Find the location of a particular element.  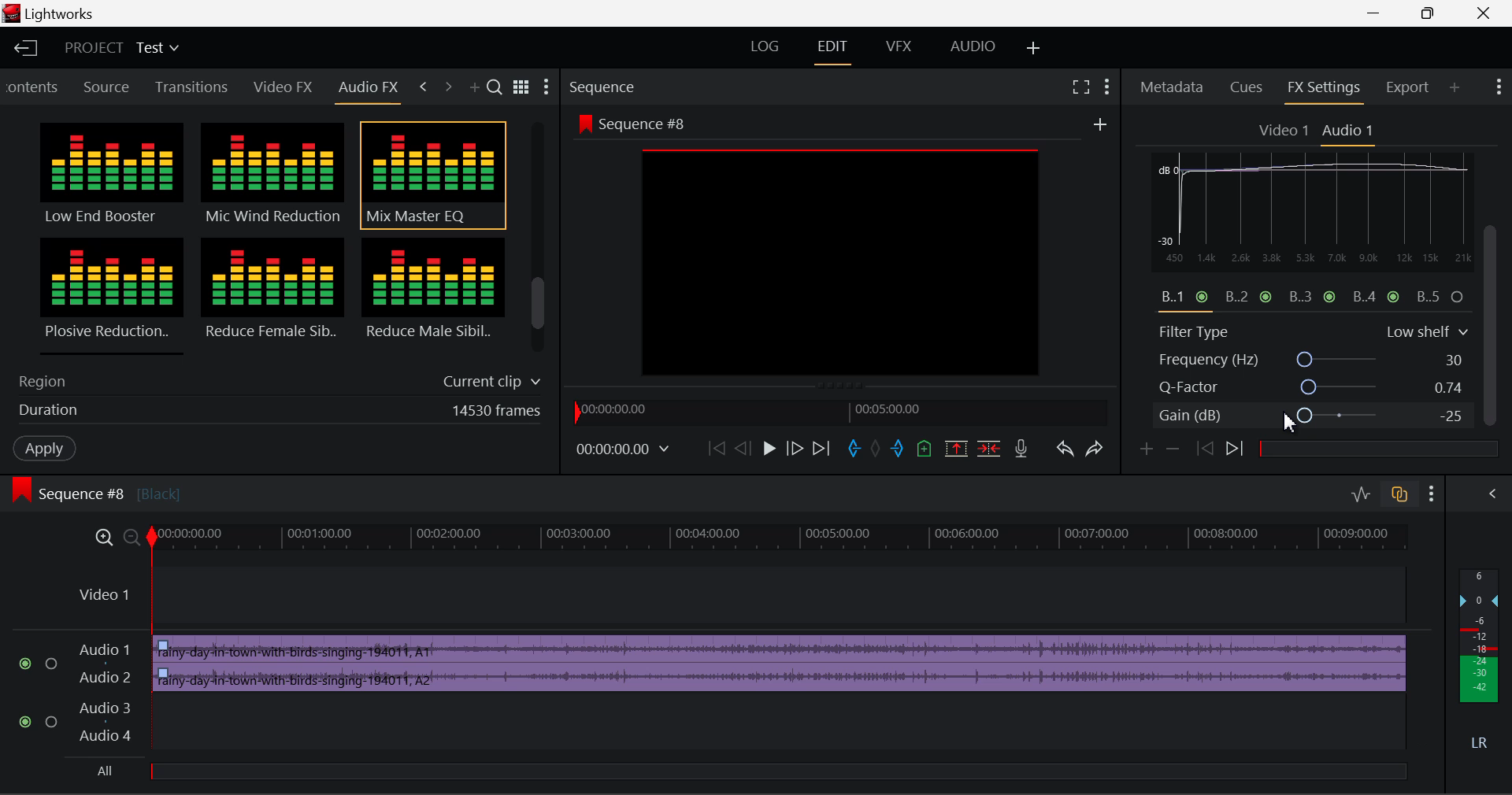

VFX Layout is located at coordinates (902, 50).